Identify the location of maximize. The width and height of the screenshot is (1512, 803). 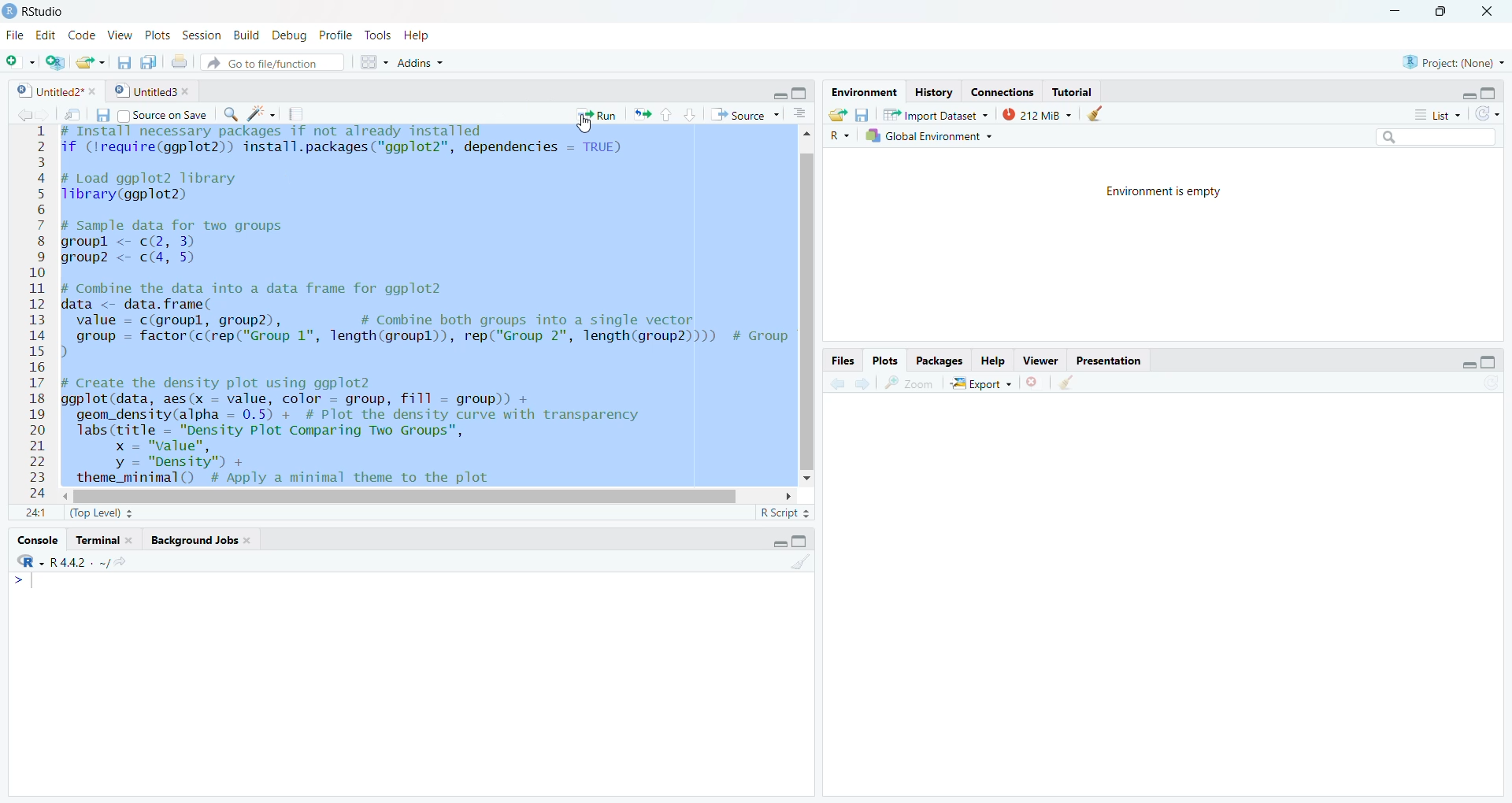
(1441, 12).